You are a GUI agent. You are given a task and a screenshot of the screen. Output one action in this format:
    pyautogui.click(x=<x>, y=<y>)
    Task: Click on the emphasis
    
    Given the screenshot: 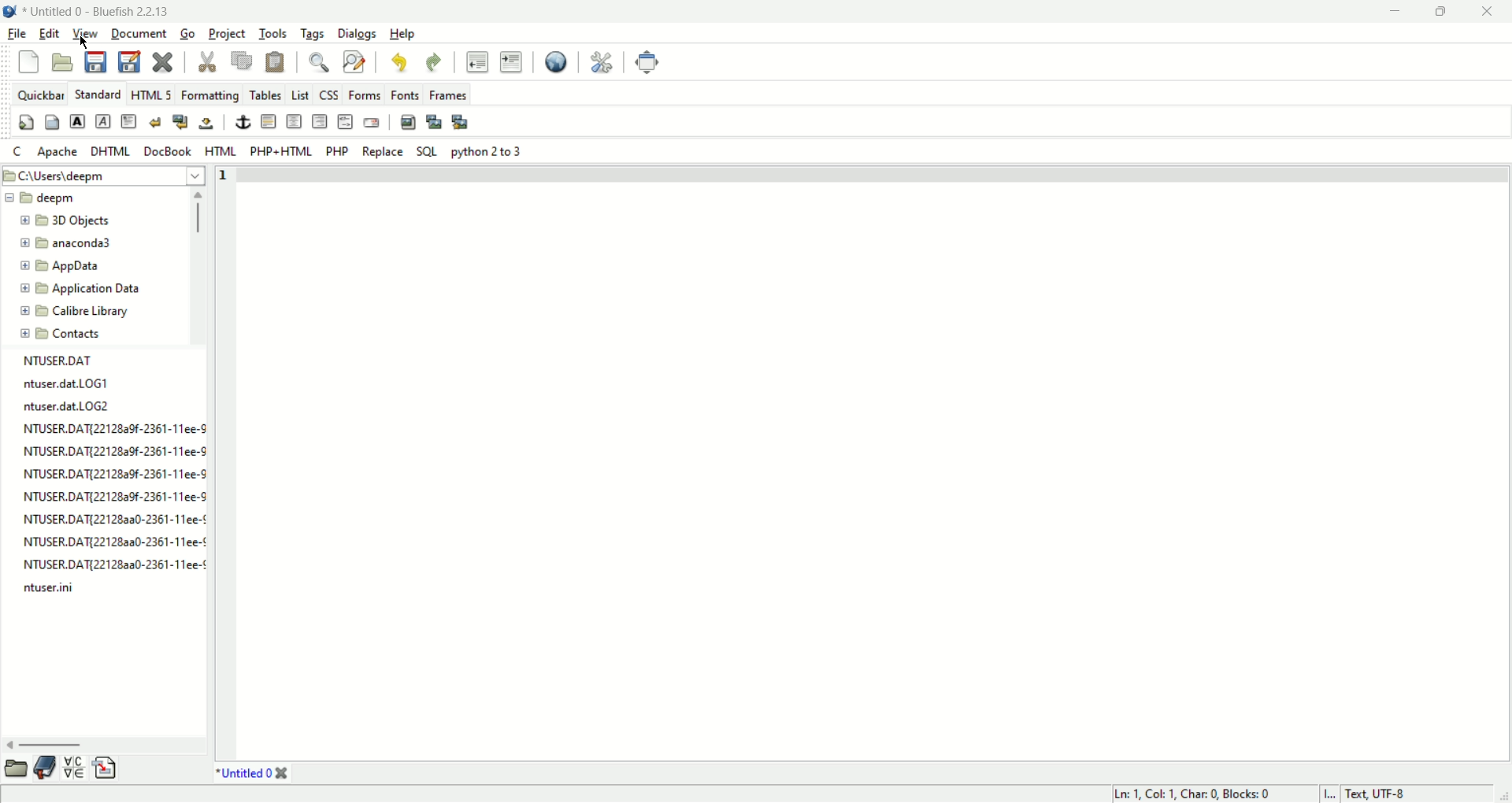 What is the action you would take?
    pyautogui.click(x=104, y=120)
    